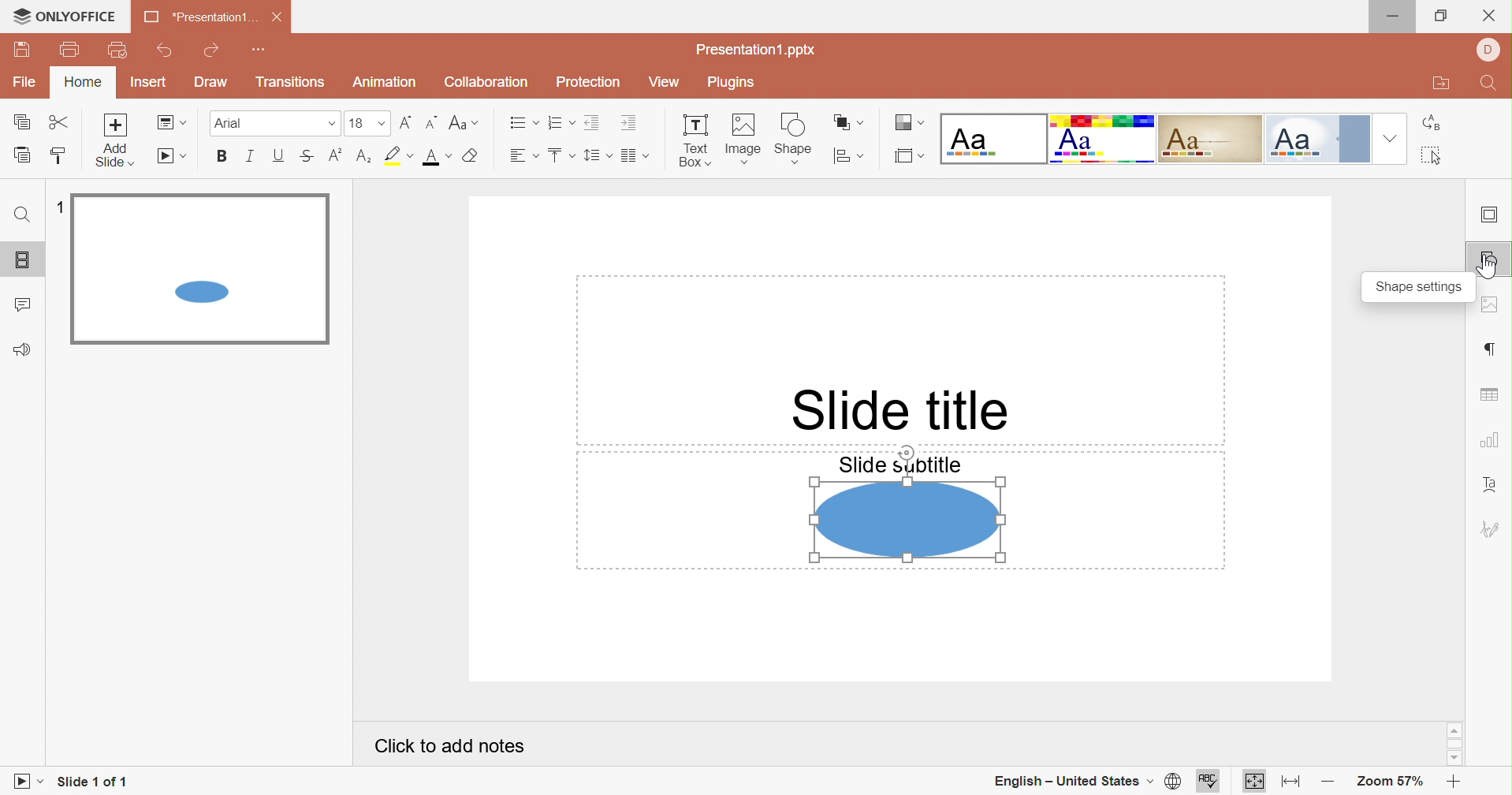  What do you see at coordinates (1103, 140) in the screenshot?
I see `Basic` at bounding box center [1103, 140].